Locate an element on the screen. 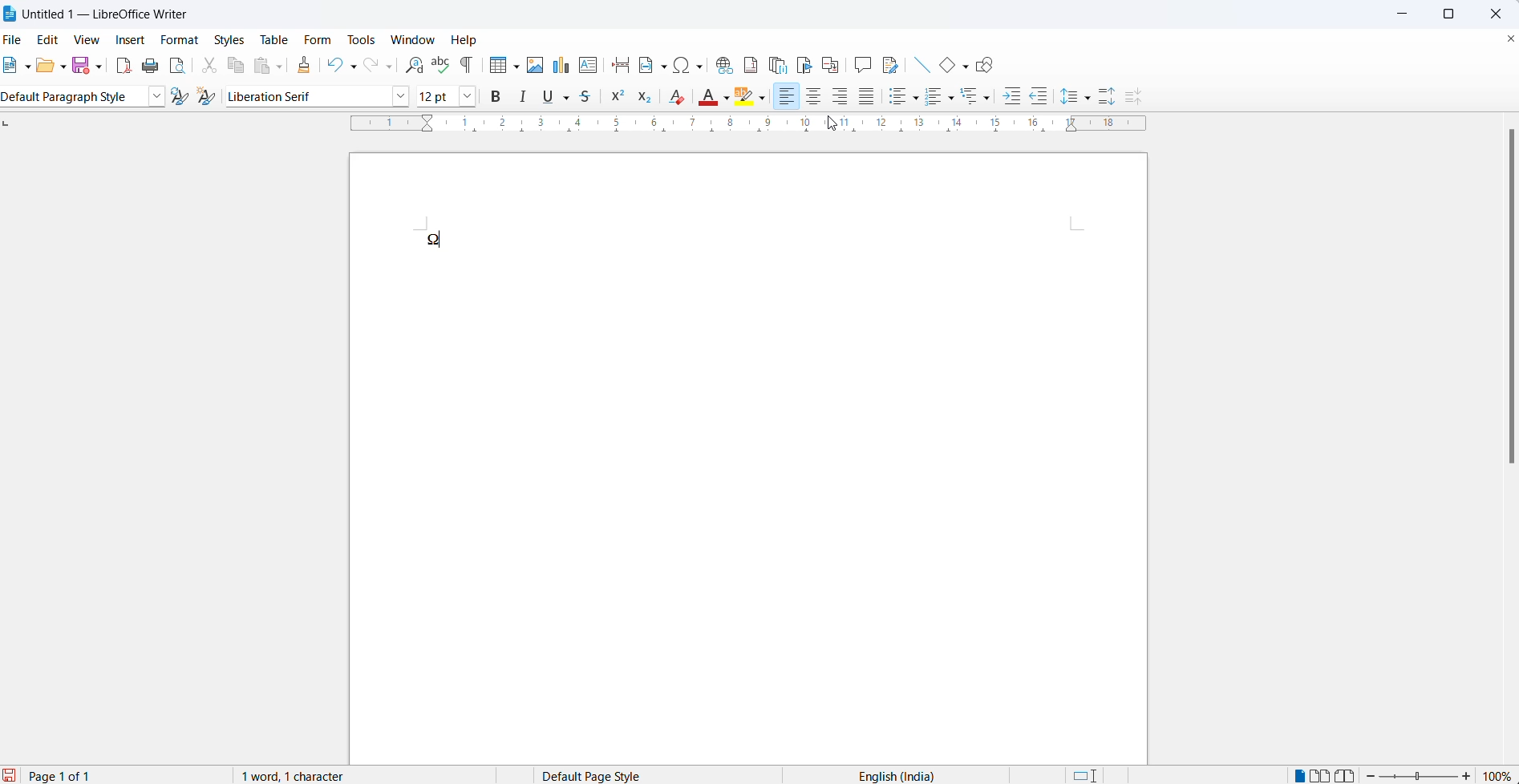  multi page view is located at coordinates (1323, 774).